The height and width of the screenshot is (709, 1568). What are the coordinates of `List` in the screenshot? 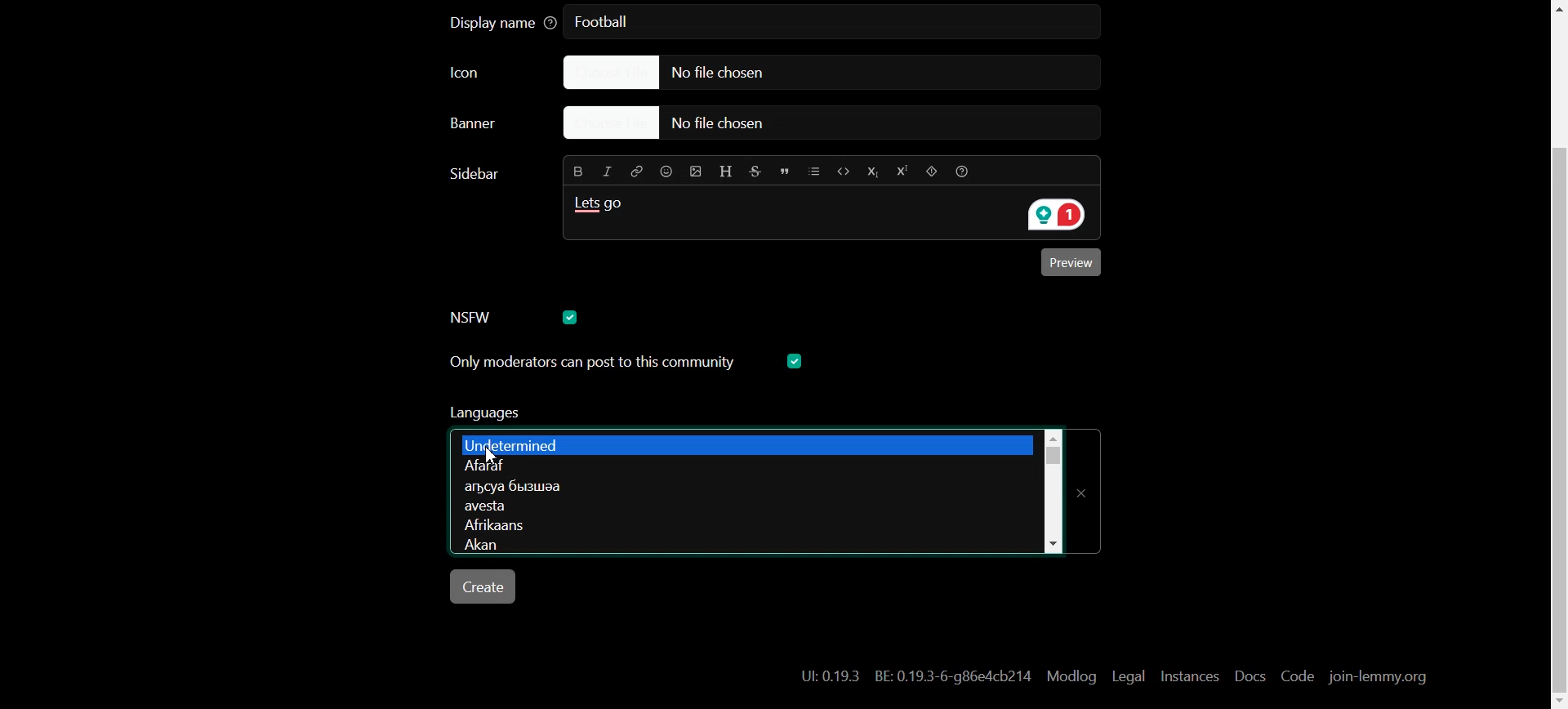 It's located at (815, 170).